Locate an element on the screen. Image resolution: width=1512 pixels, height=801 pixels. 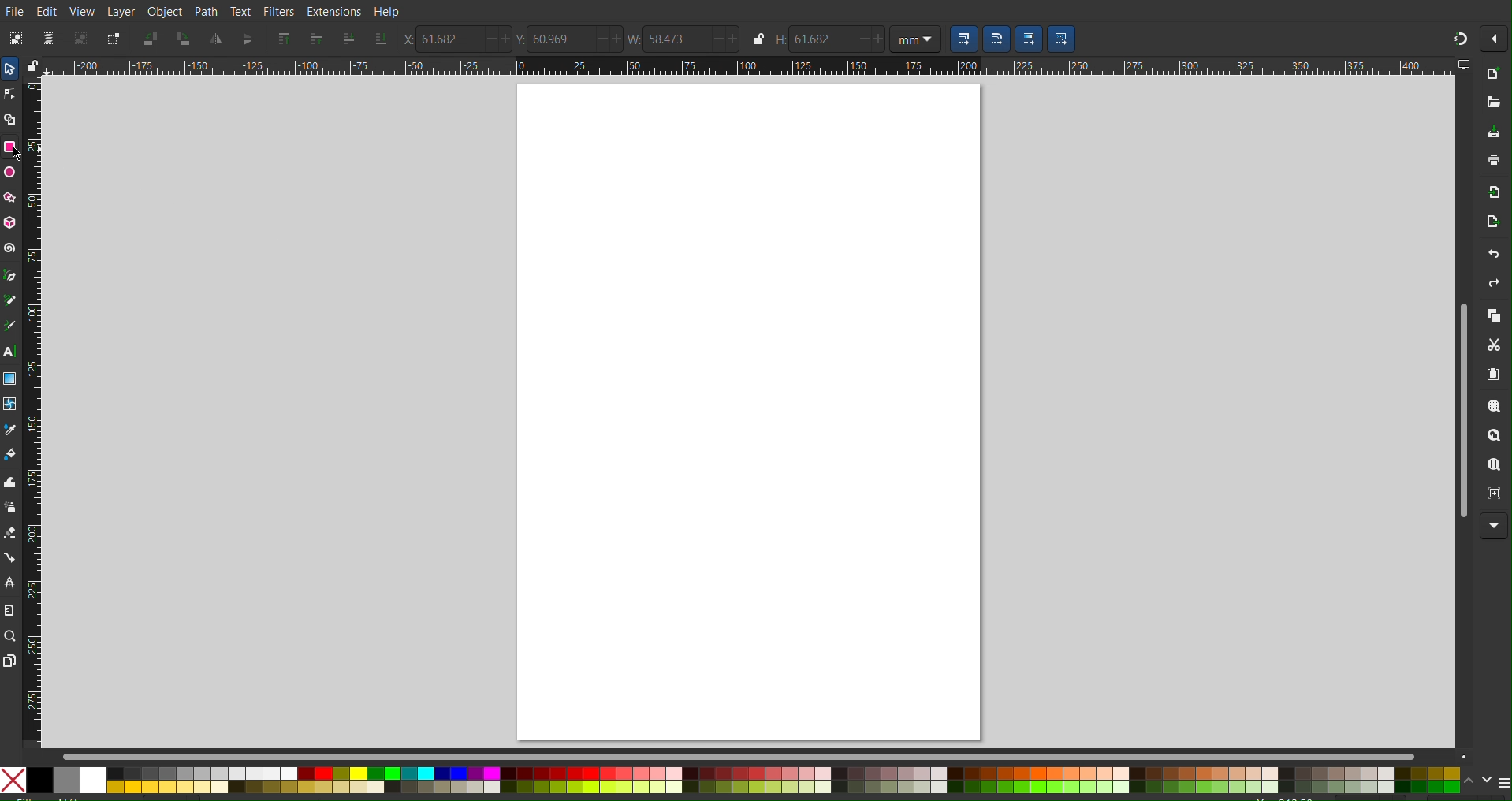
Y-Coords is located at coordinates (523, 40).